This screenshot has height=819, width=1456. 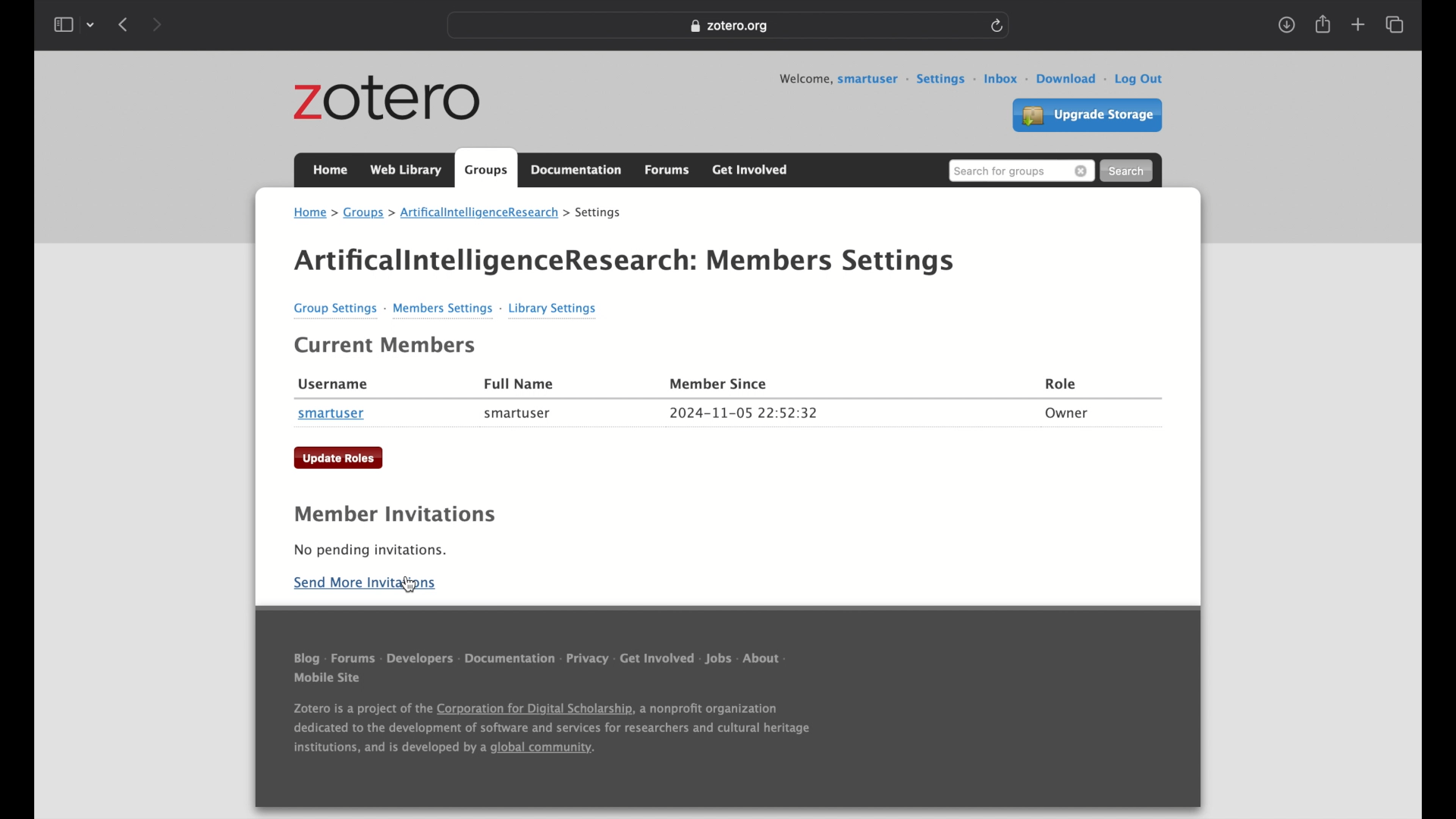 I want to click on update roles, so click(x=338, y=458).